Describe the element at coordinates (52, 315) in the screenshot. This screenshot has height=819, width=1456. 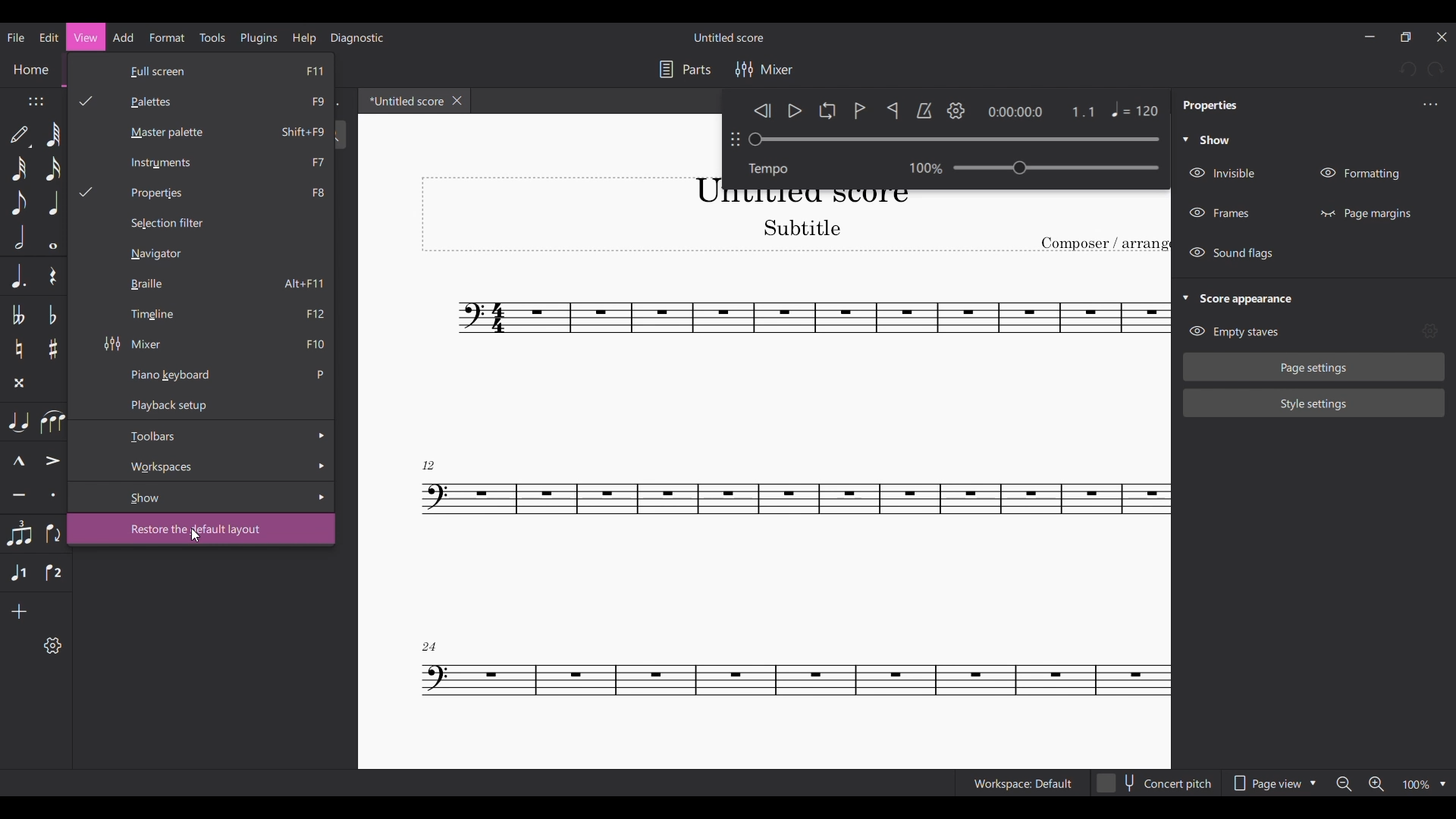
I see `Toggle flat` at that location.